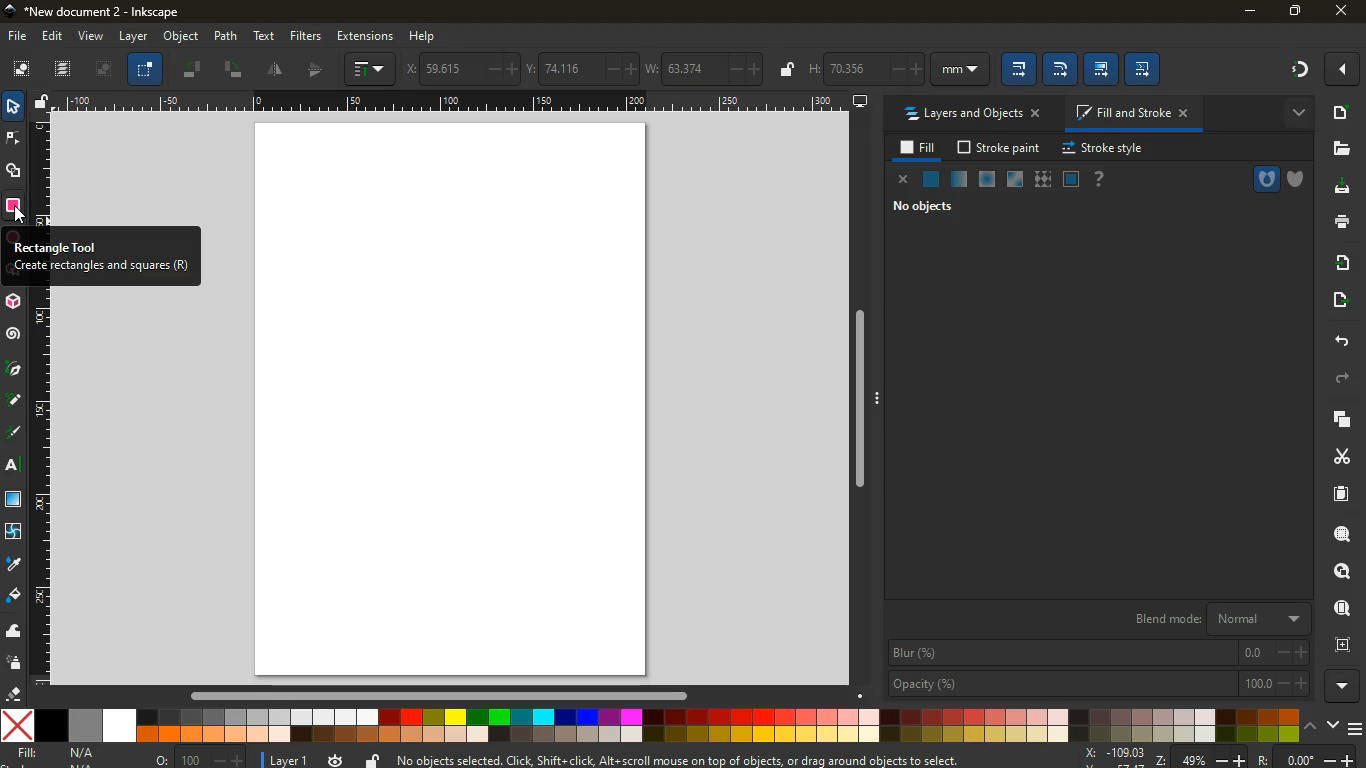  Describe the element at coordinates (17, 434) in the screenshot. I see `highlight` at that location.